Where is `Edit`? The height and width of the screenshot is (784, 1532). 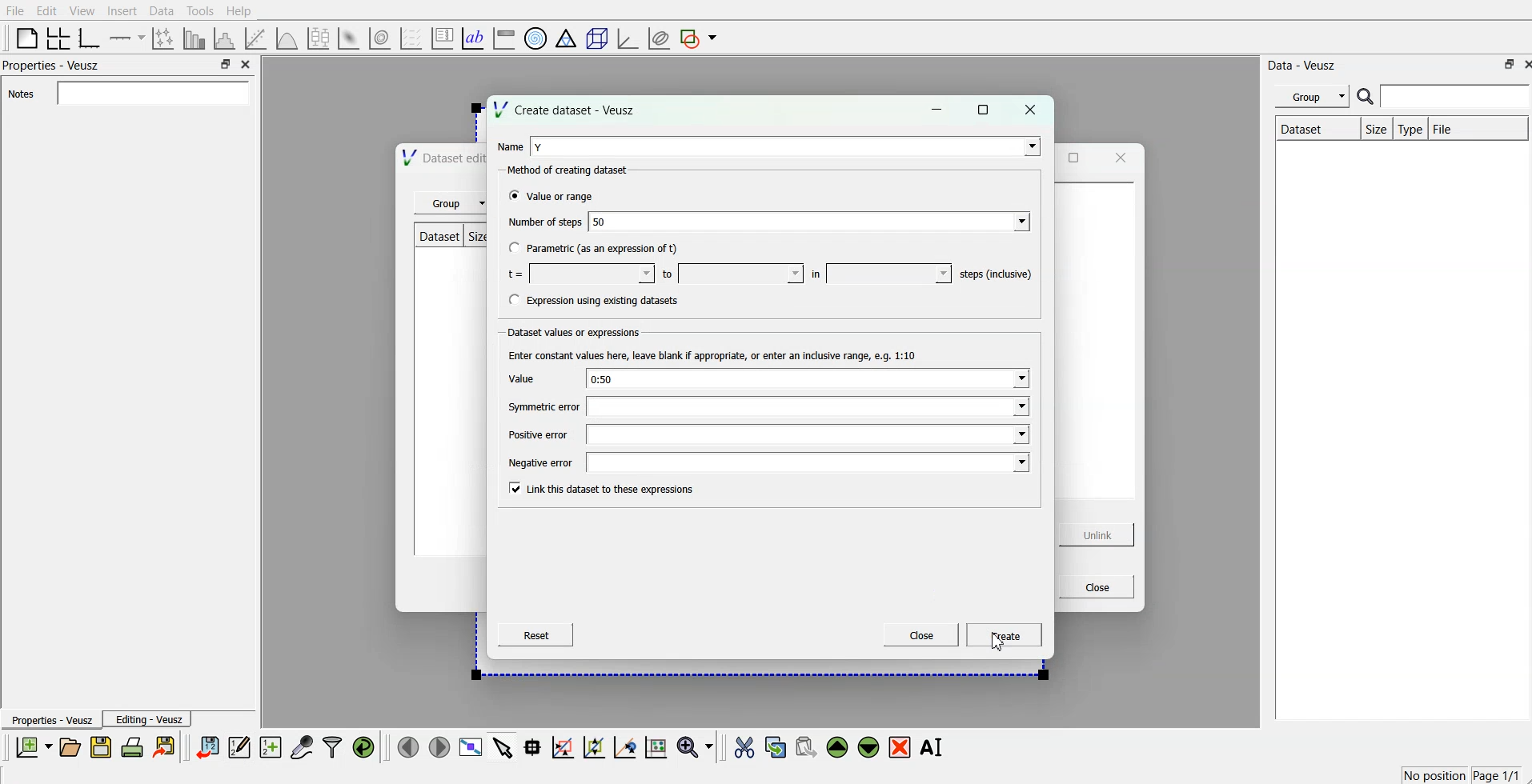
Edit is located at coordinates (46, 10).